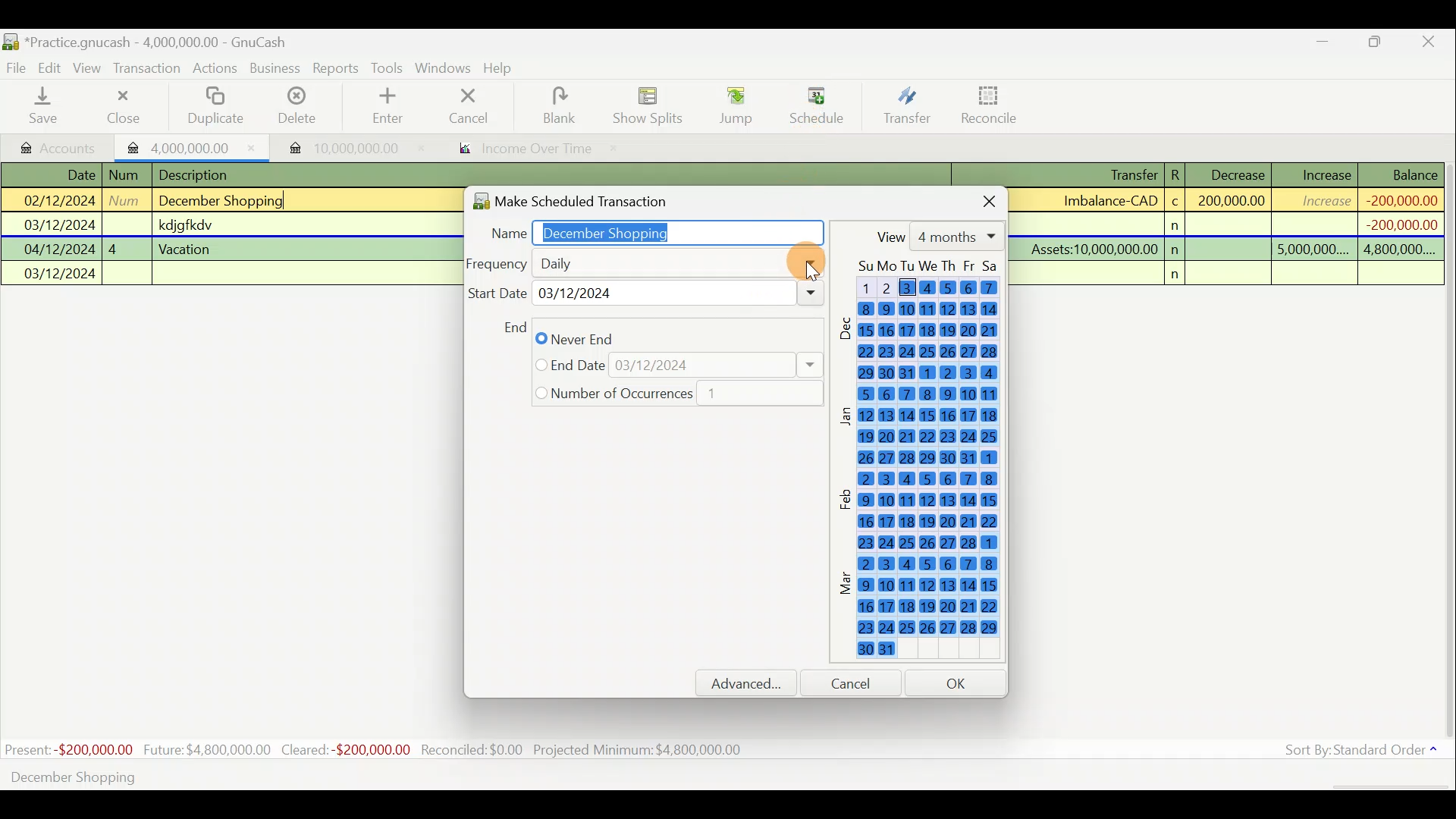  What do you see at coordinates (995, 104) in the screenshot?
I see `Reconcile` at bounding box center [995, 104].